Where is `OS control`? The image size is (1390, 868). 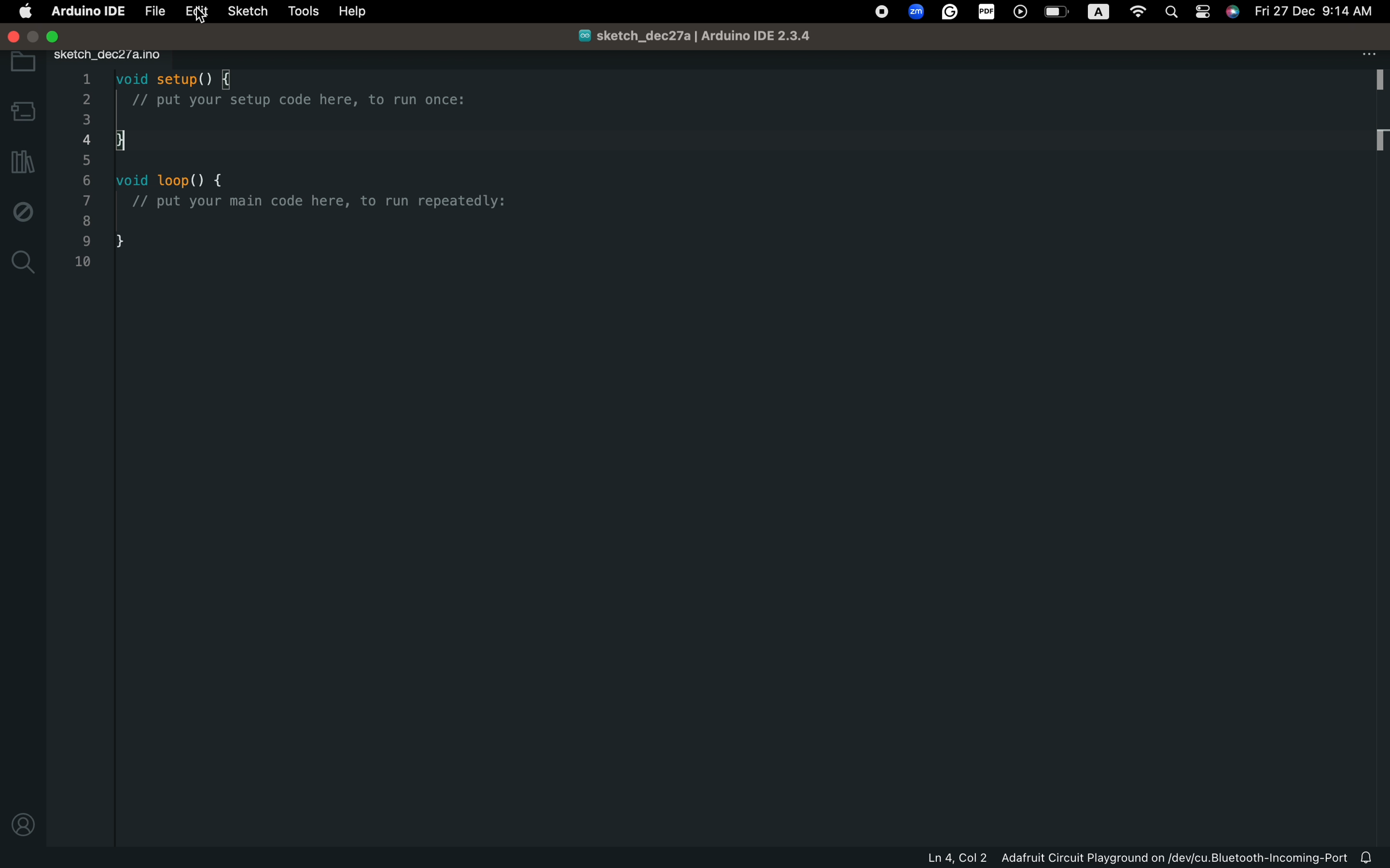
OS control is located at coordinates (1054, 11).